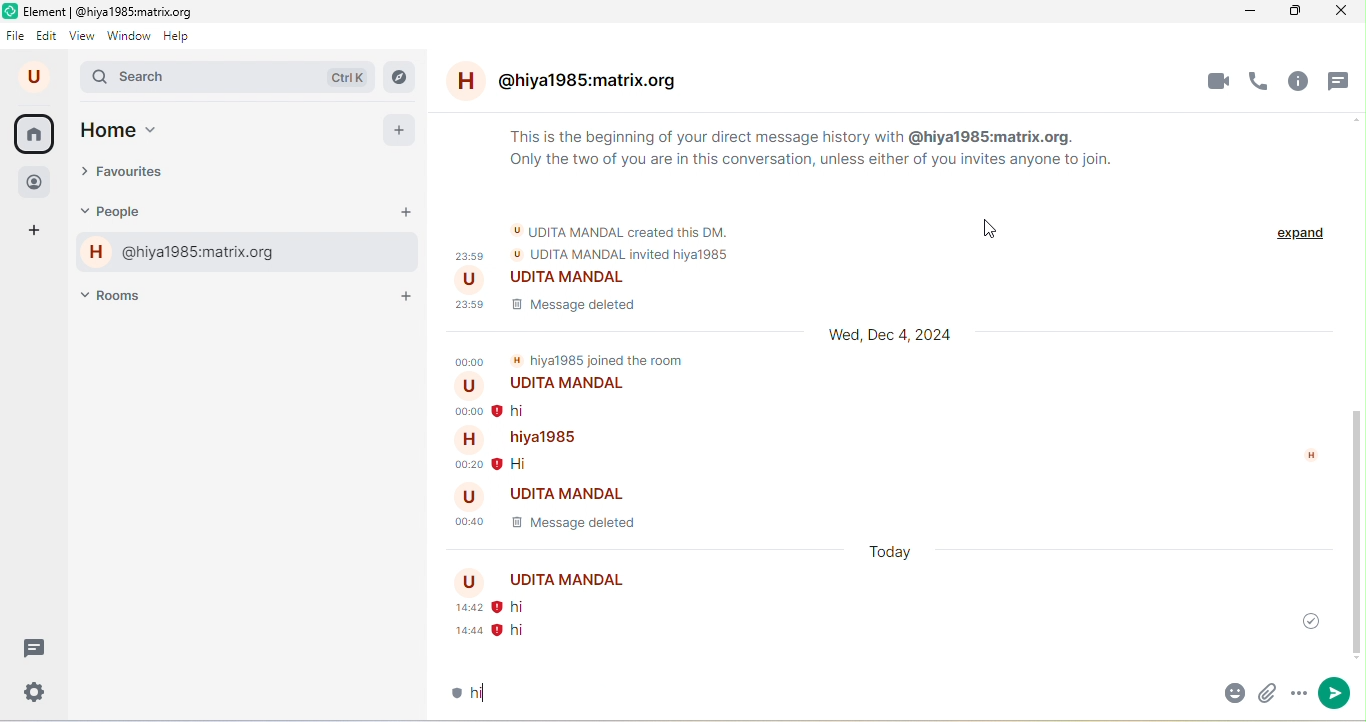  Describe the element at coordinates (506, 689) in the screenshot. I see `hi` at that location.